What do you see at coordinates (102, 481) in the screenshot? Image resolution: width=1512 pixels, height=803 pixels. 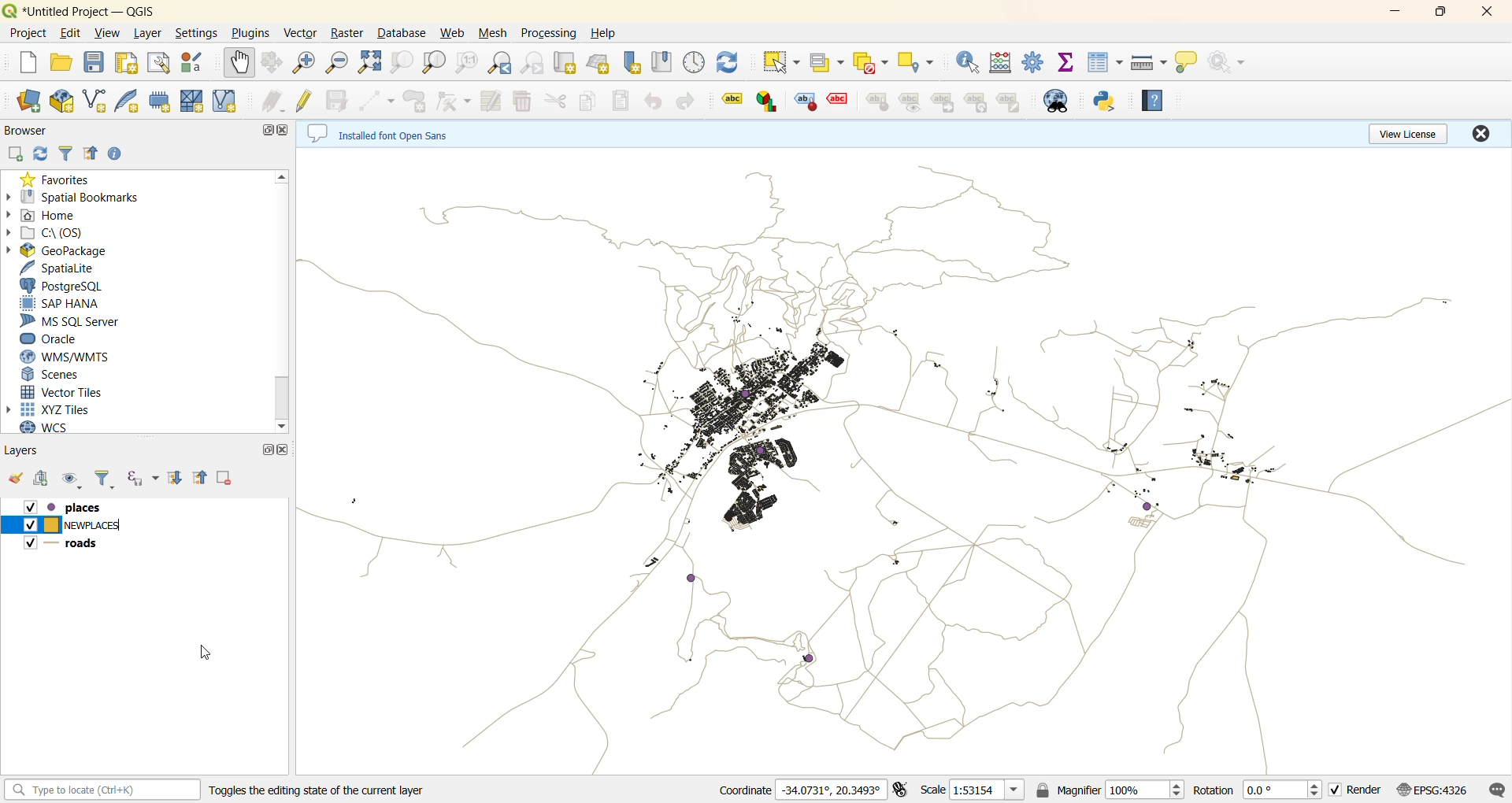 I see `filter` at bounding box center [102, 481].